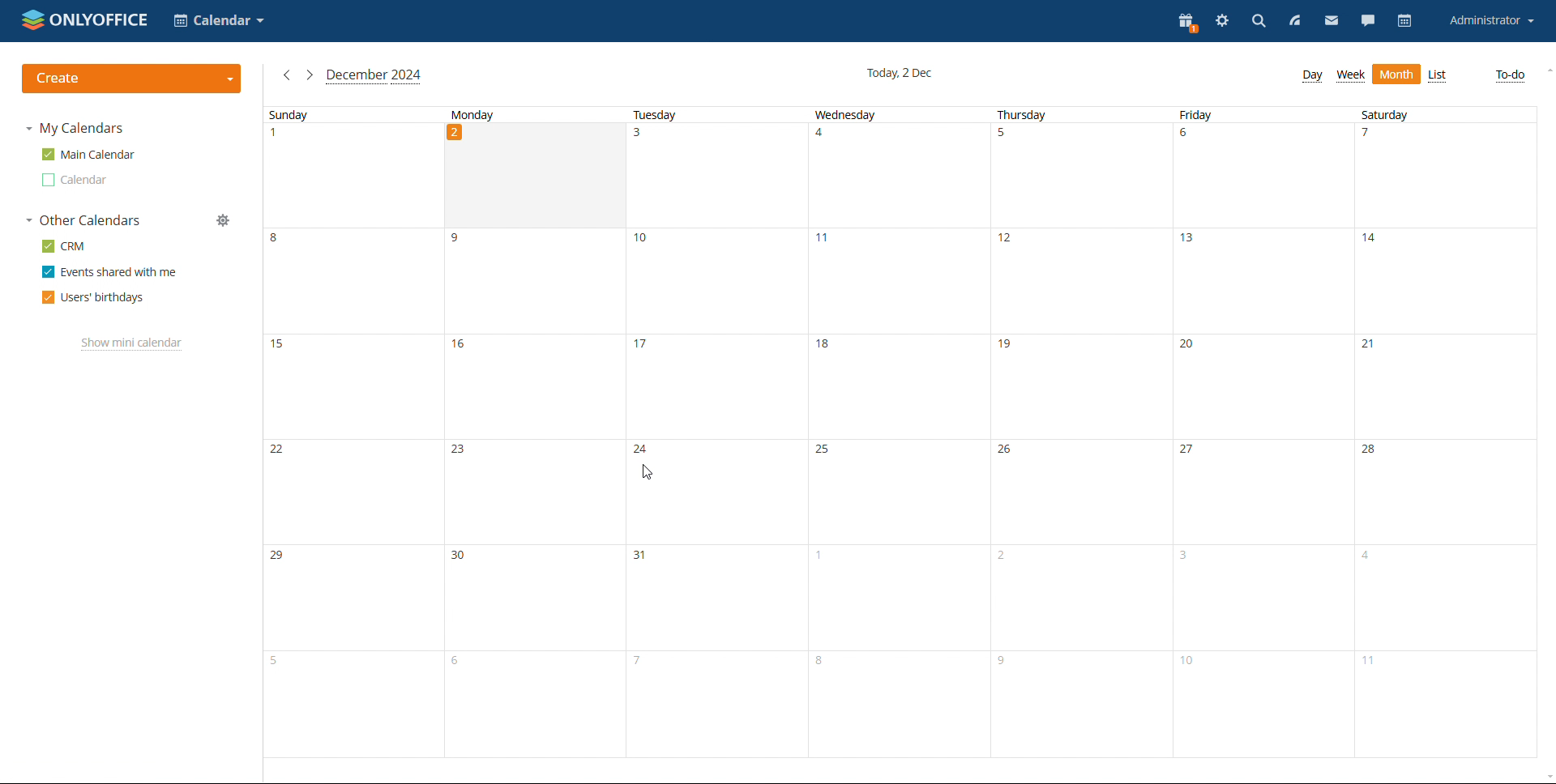  I want to click on 4, so click(825, 138).